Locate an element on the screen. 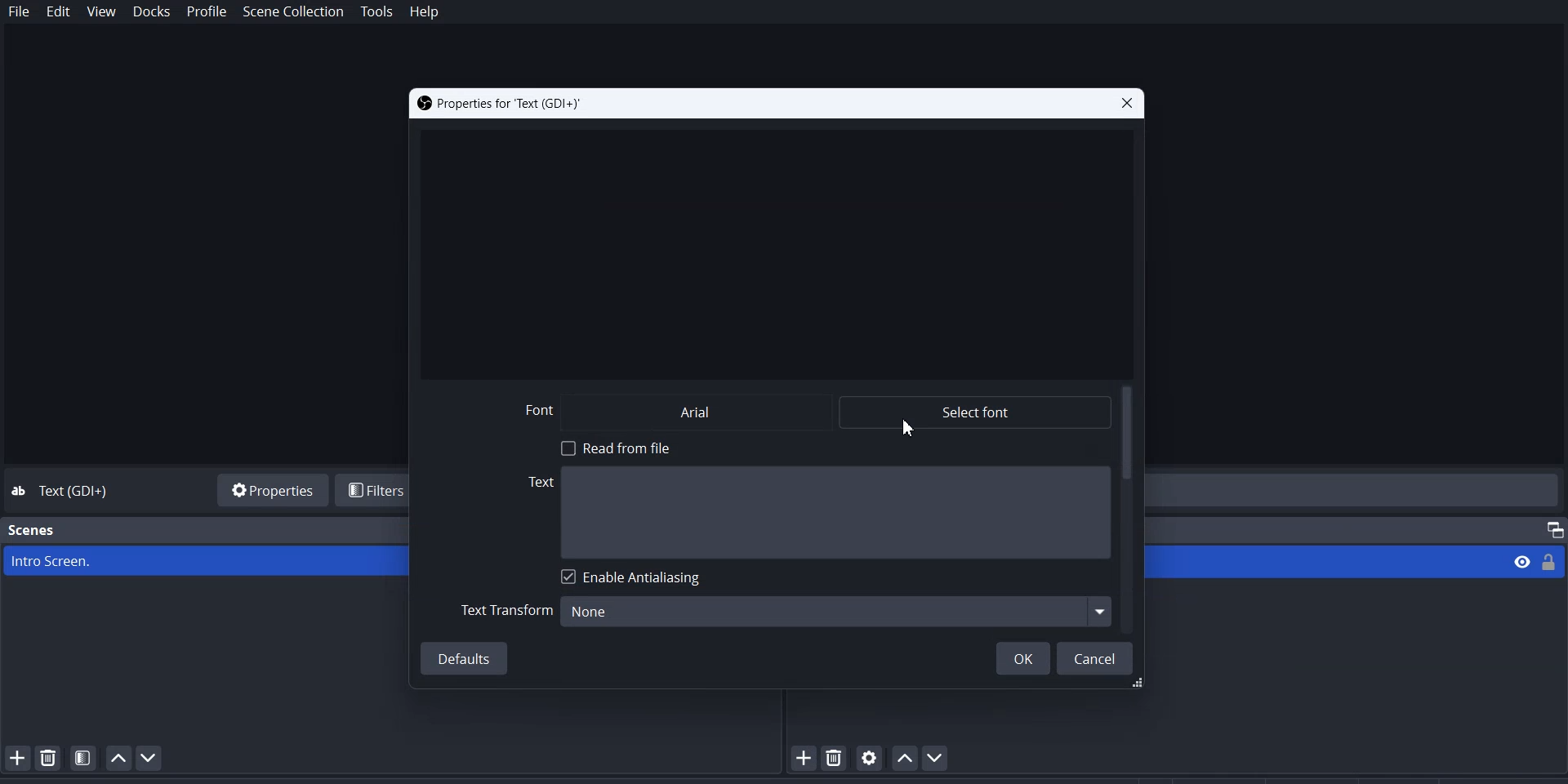 Image resolution: width=1568 pixels, height=784 pixels. Cancel is located at coordinates (1097, 657).